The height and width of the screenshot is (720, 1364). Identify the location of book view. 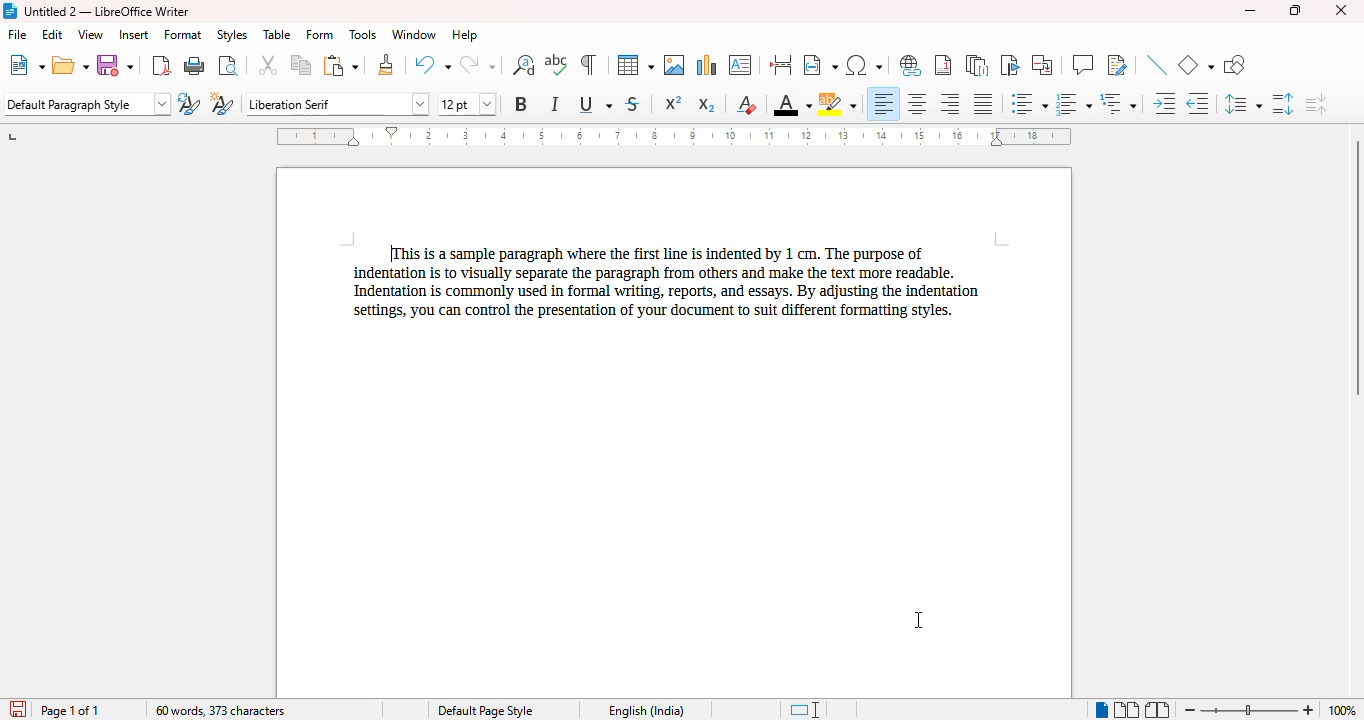
(1158, 709).